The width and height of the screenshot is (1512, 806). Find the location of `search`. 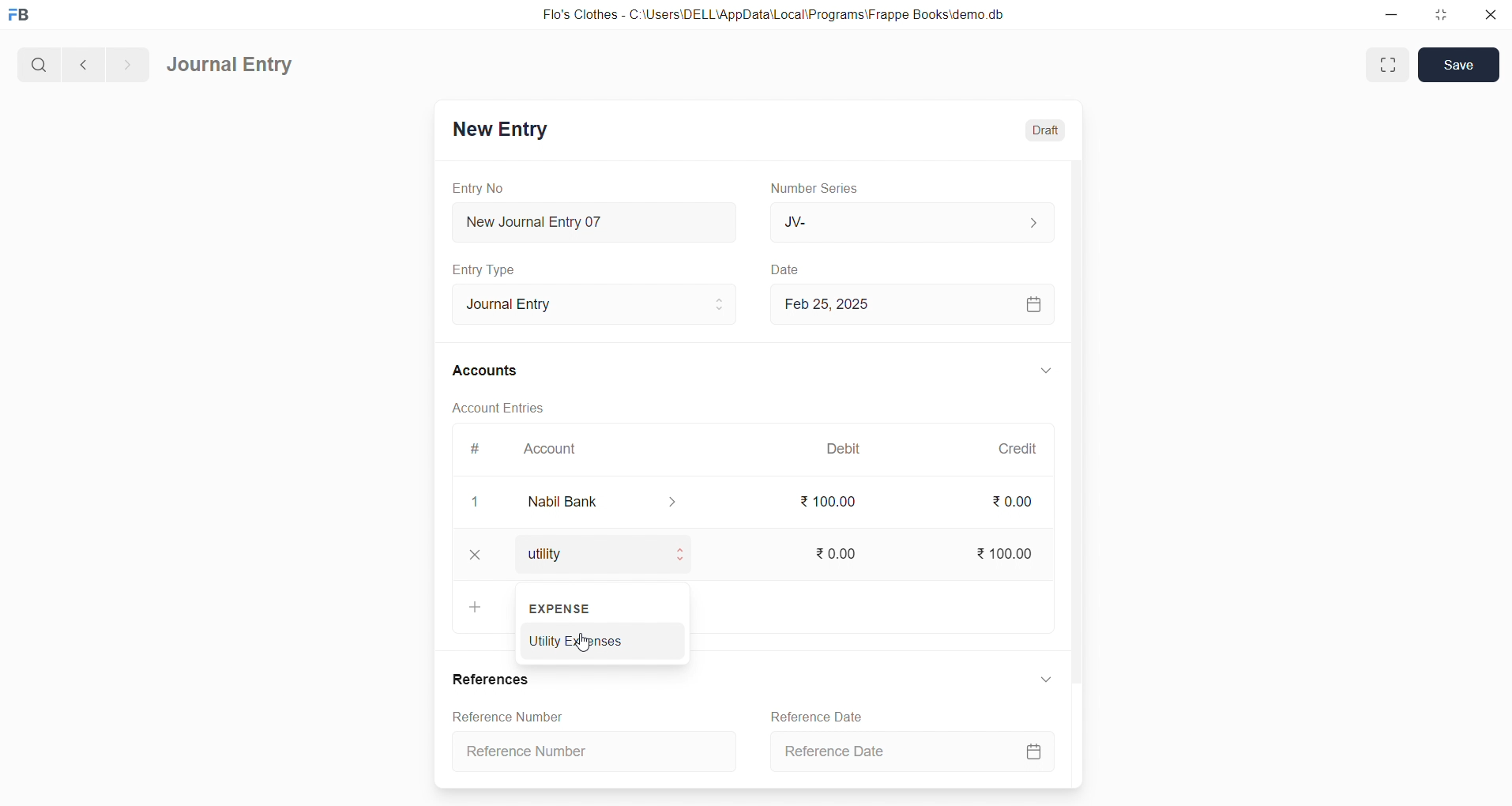

search is located at coordinates (37, 62).